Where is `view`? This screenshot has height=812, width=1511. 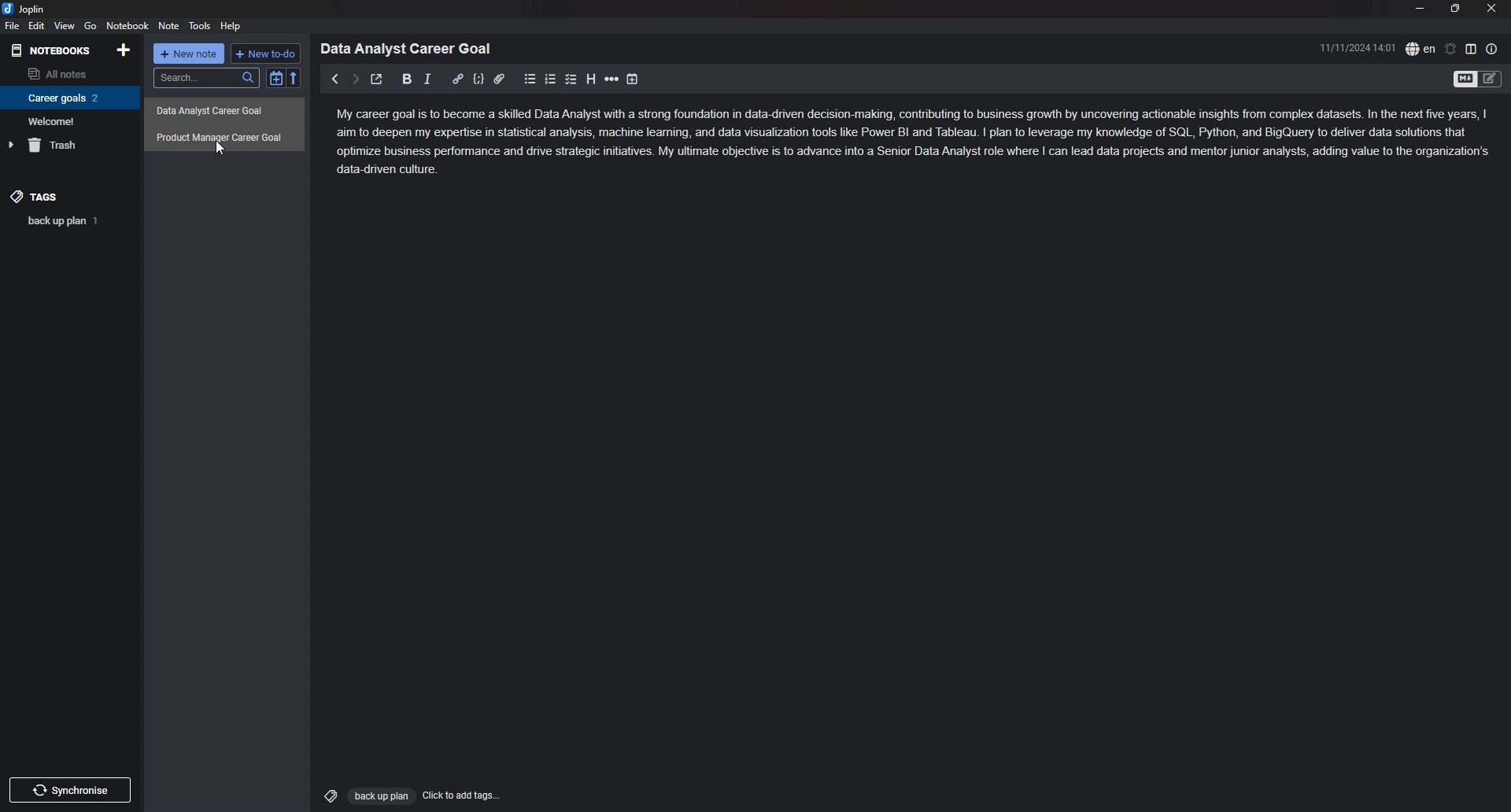 view is located at coordinates (65, 26).